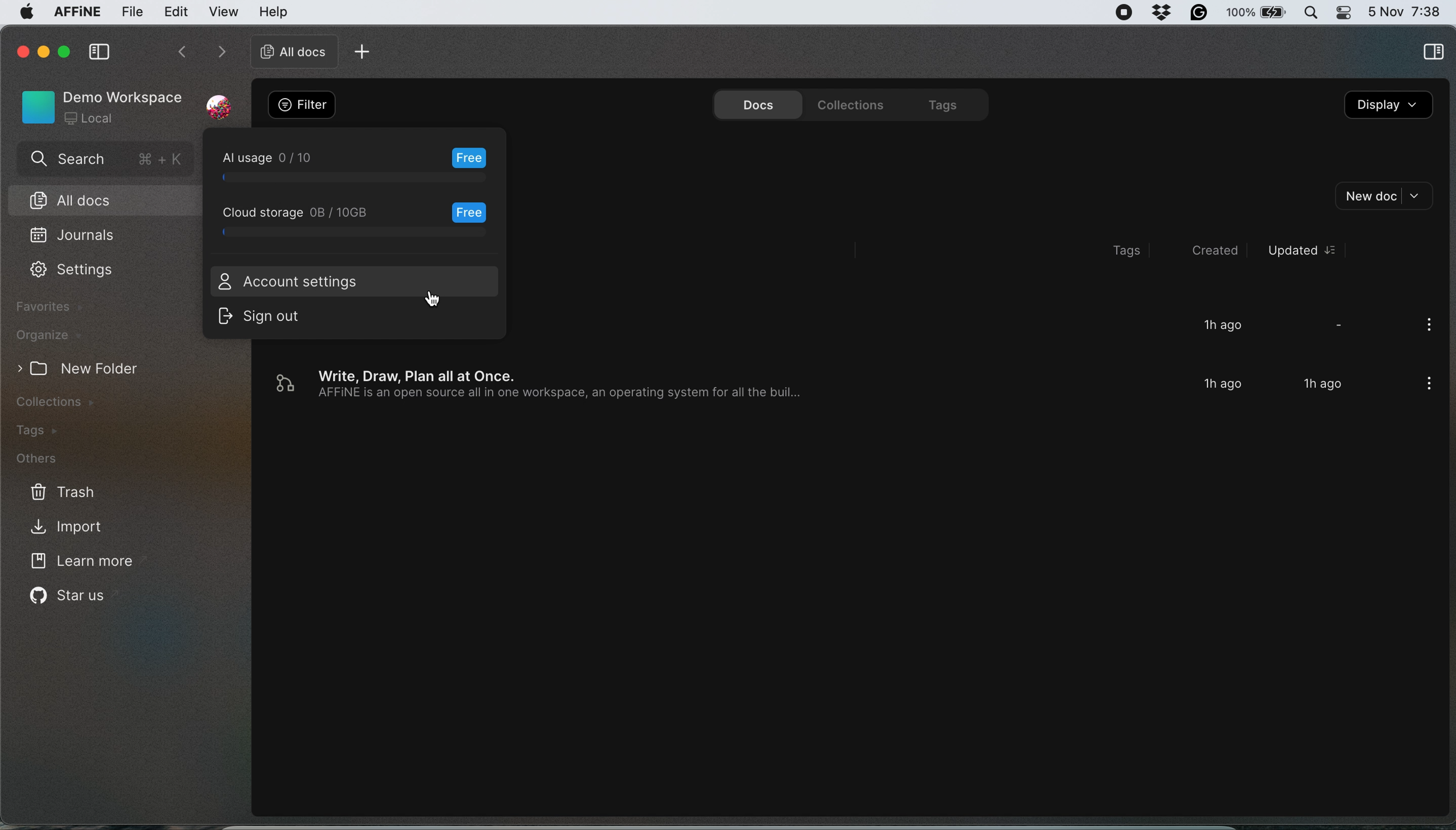  Describe the element at coordinates (815, 385) in the screenshot. I see `Write,Draw,plan` at that location.